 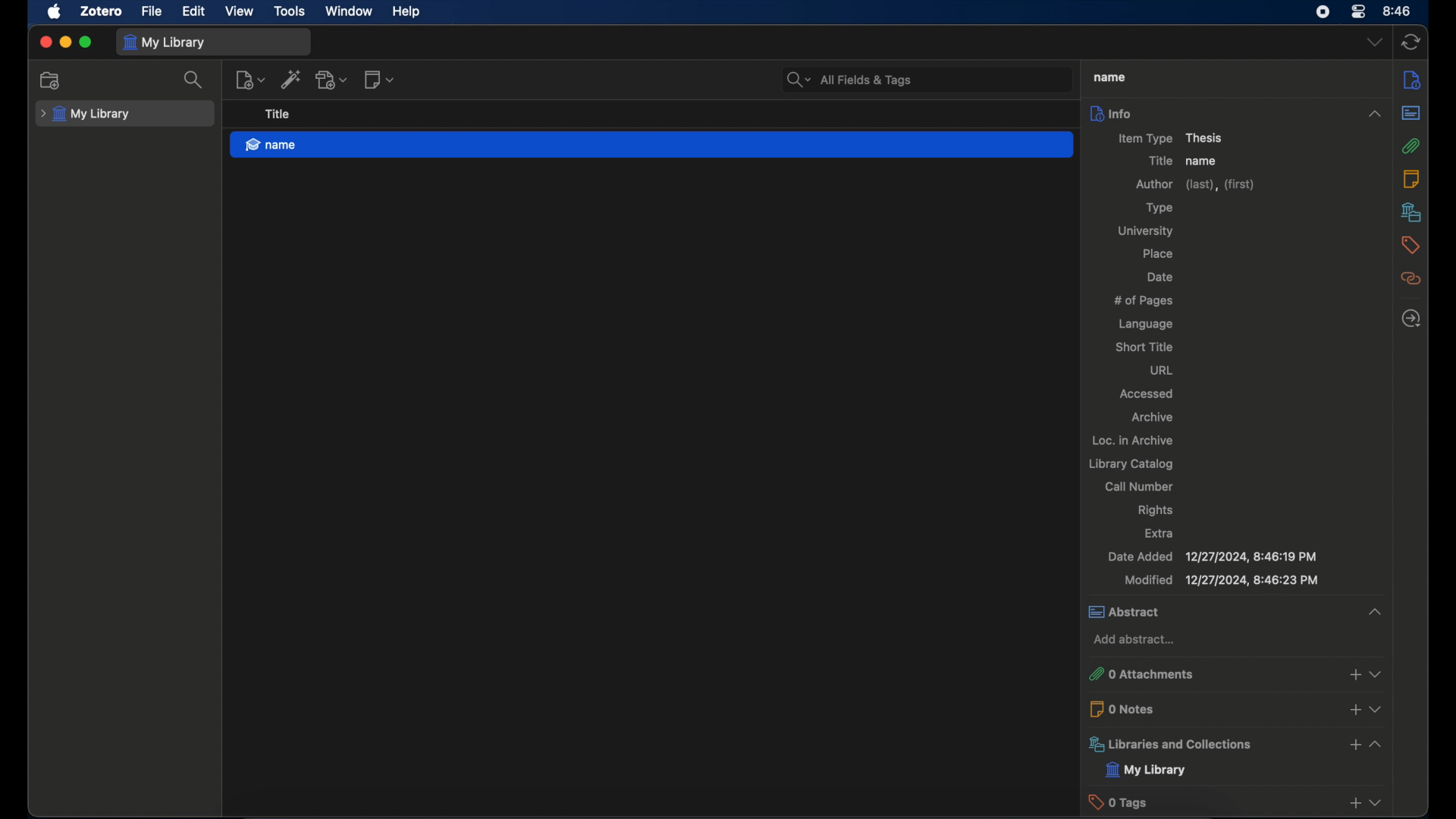 I want to click on locate, so click(x=1410, y=319).